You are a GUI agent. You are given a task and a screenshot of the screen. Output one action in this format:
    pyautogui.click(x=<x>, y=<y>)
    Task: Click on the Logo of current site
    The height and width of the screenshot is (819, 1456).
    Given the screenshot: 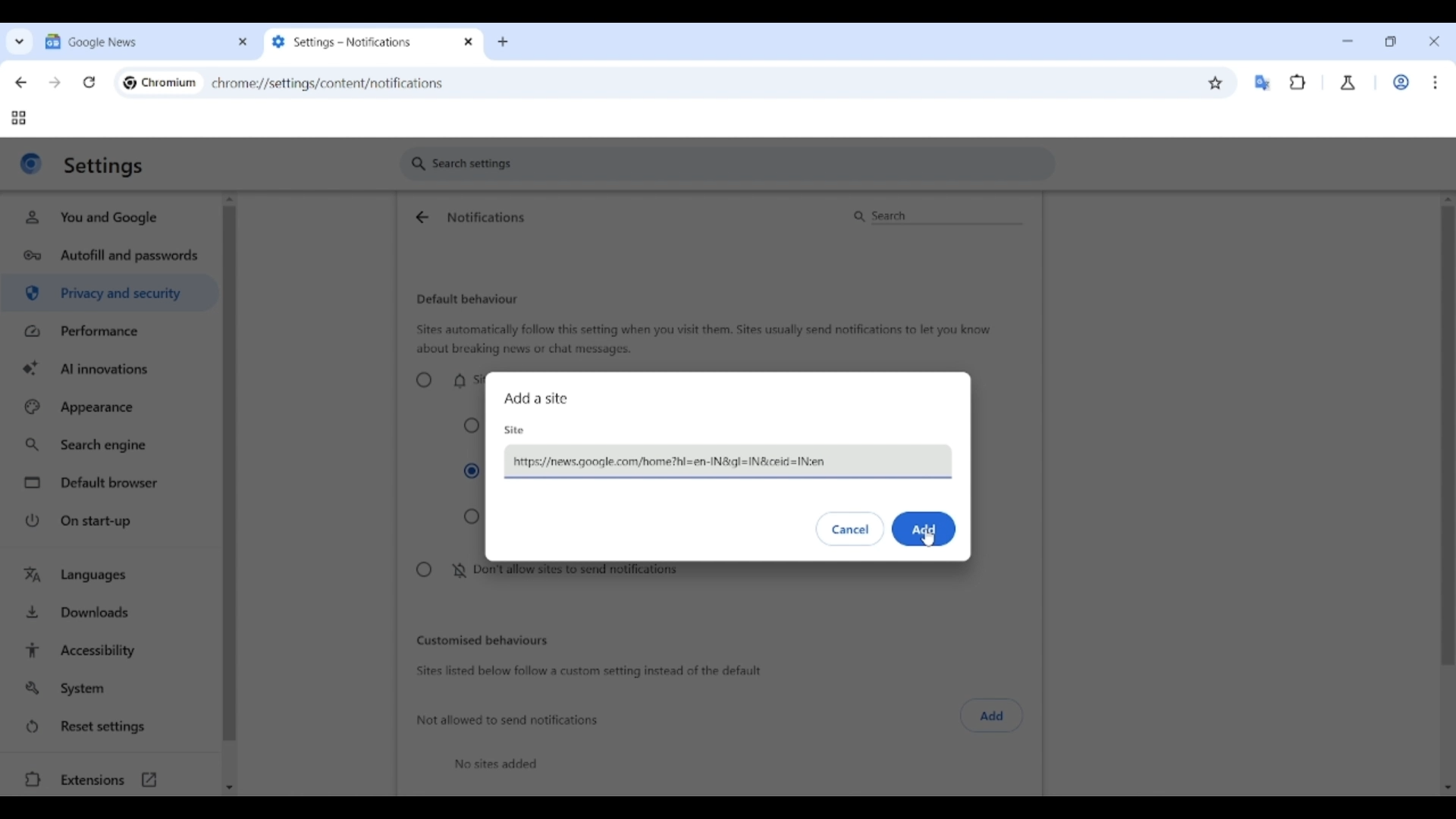 What is the action you would take?
    pyautogui.click(x=31, y=163)
    